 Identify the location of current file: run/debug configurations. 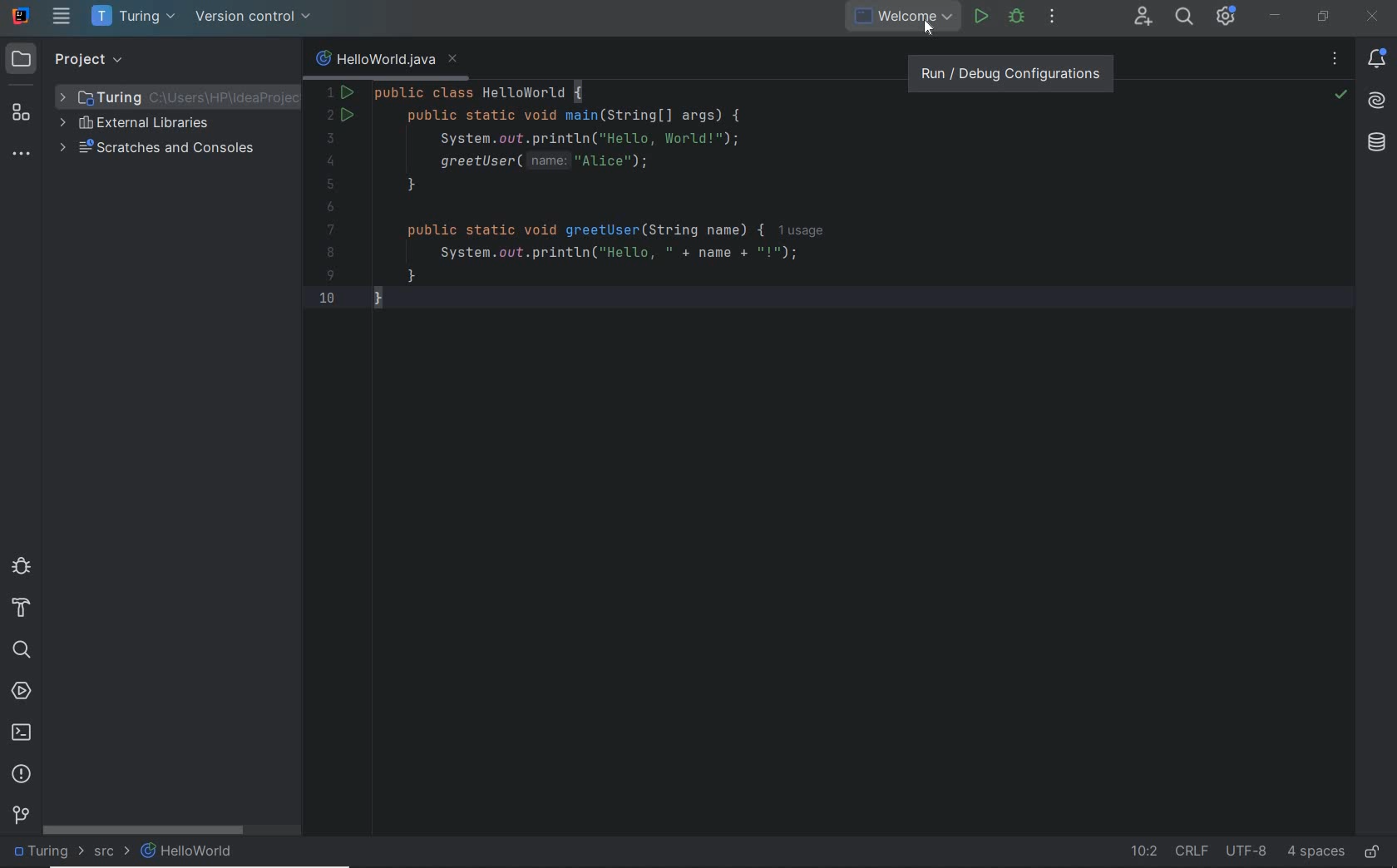
(881, 17).